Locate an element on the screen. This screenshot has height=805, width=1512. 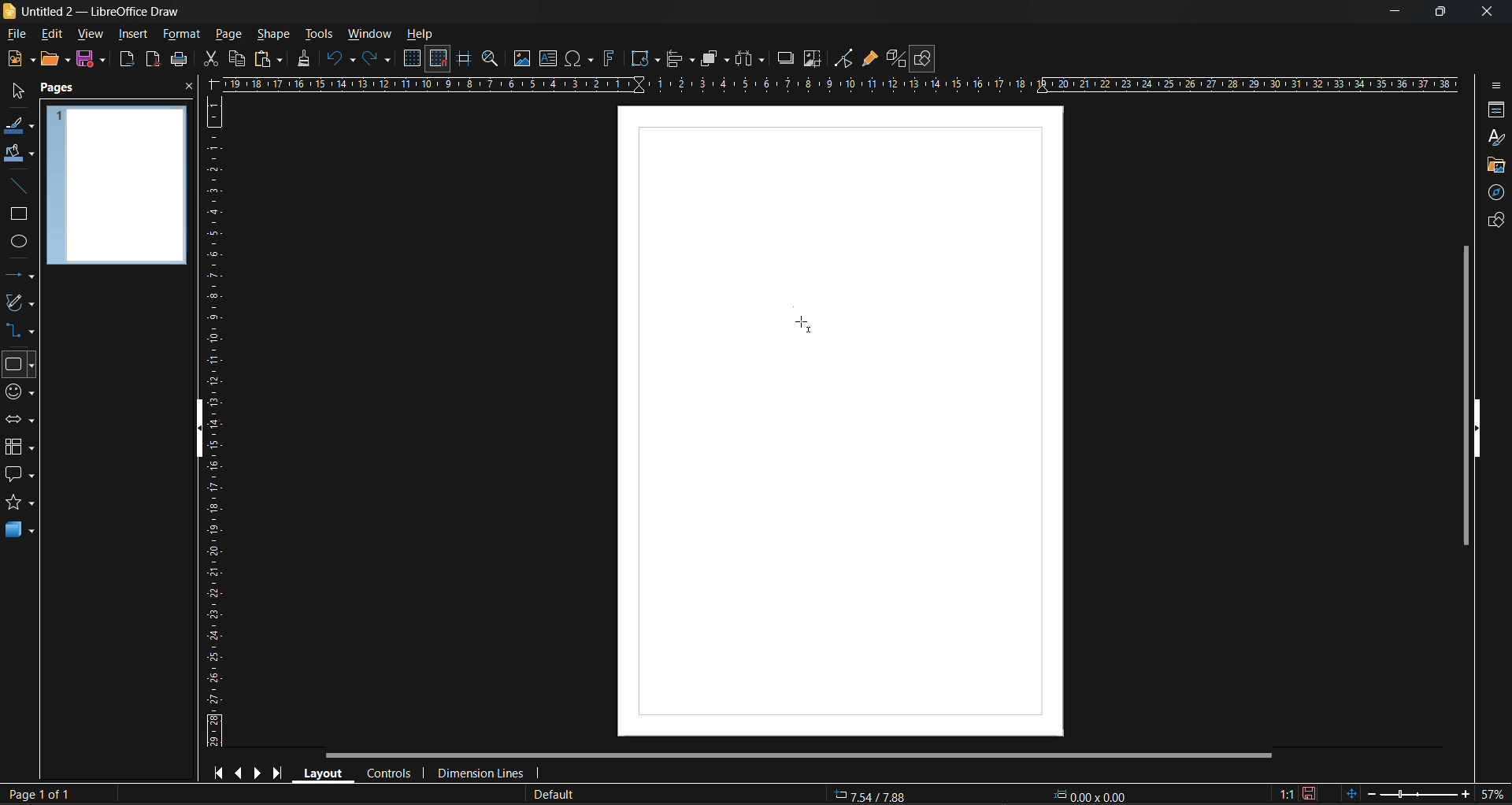
helplines is located at coordinates (462, 59).